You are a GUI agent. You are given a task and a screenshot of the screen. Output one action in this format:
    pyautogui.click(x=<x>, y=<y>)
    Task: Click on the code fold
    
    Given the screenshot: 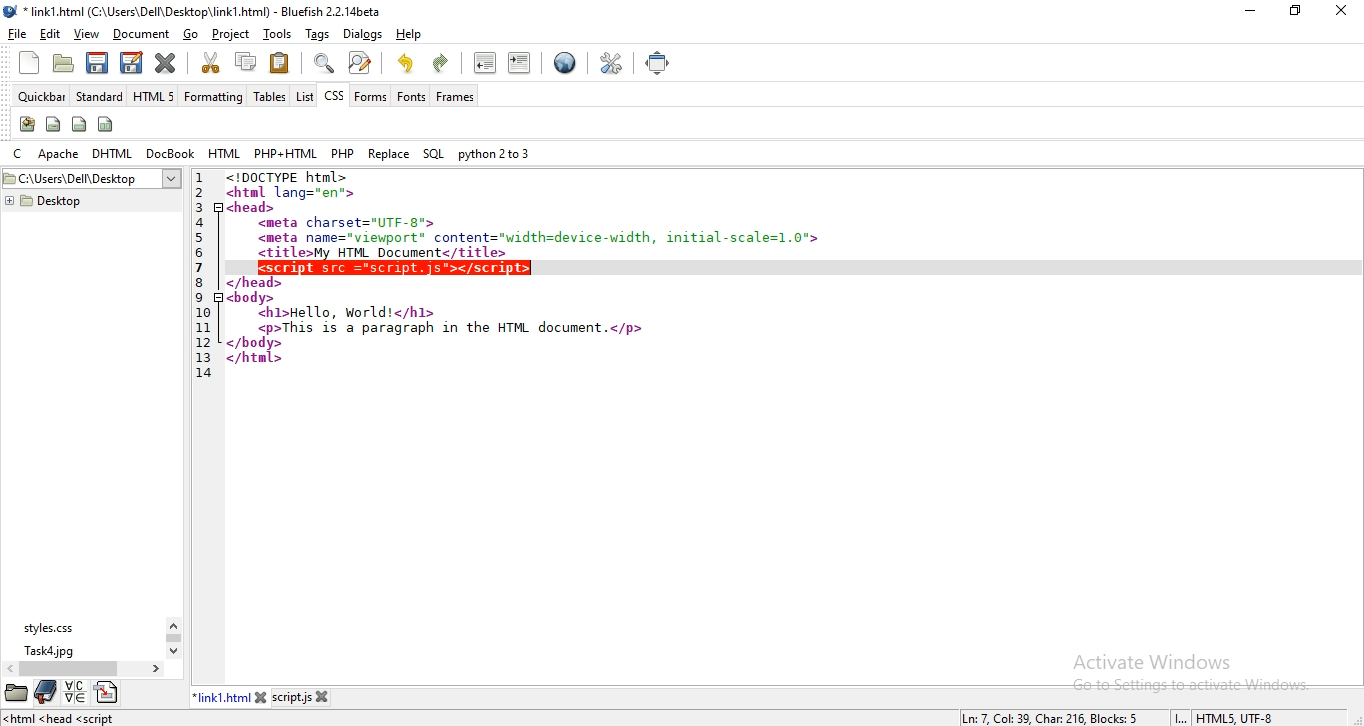 What is the action you would take?
    pyautogui.click(x=220, y=298)
    